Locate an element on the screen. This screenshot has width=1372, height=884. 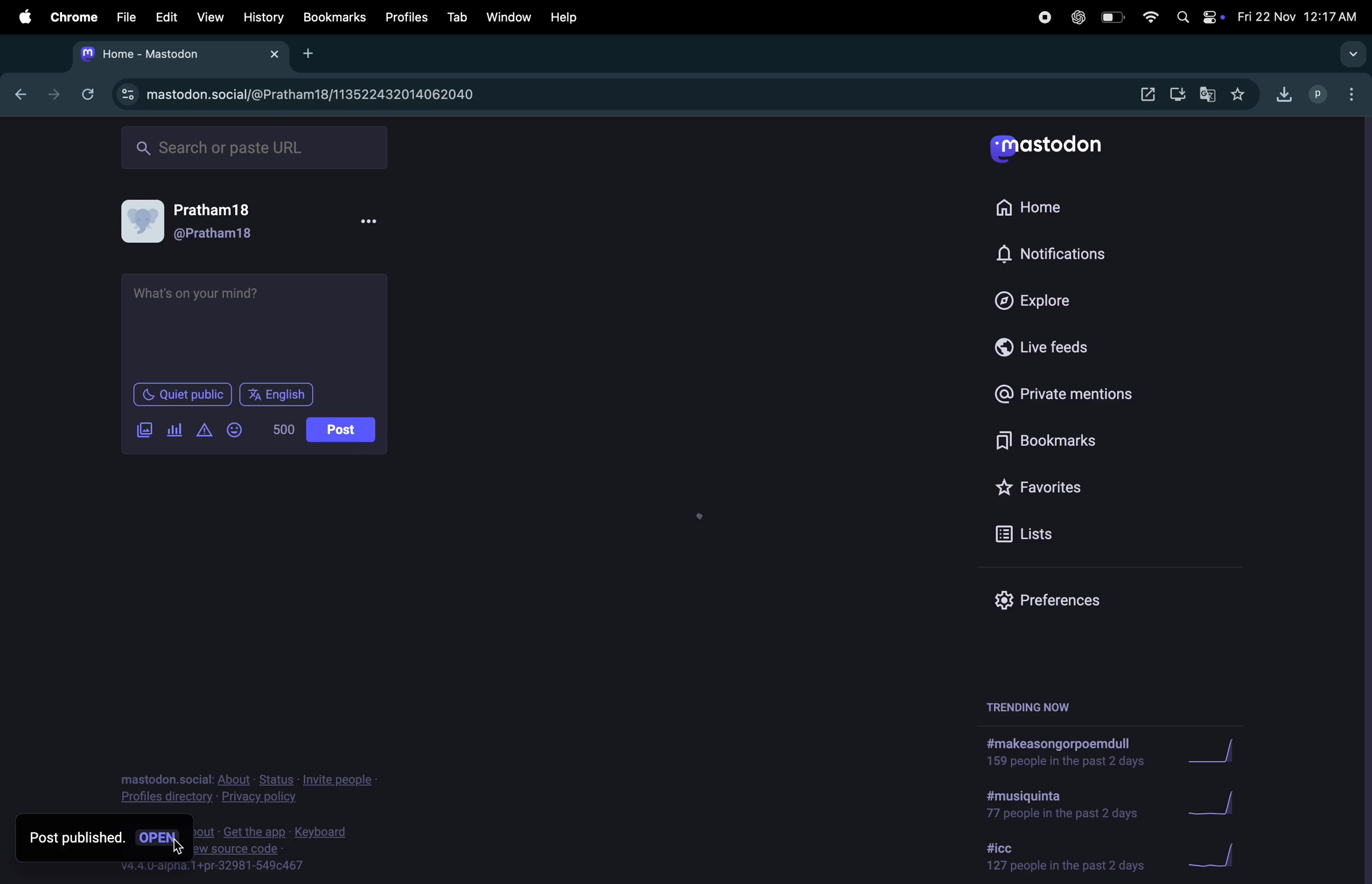
options is located at coordinates (1349, 94).